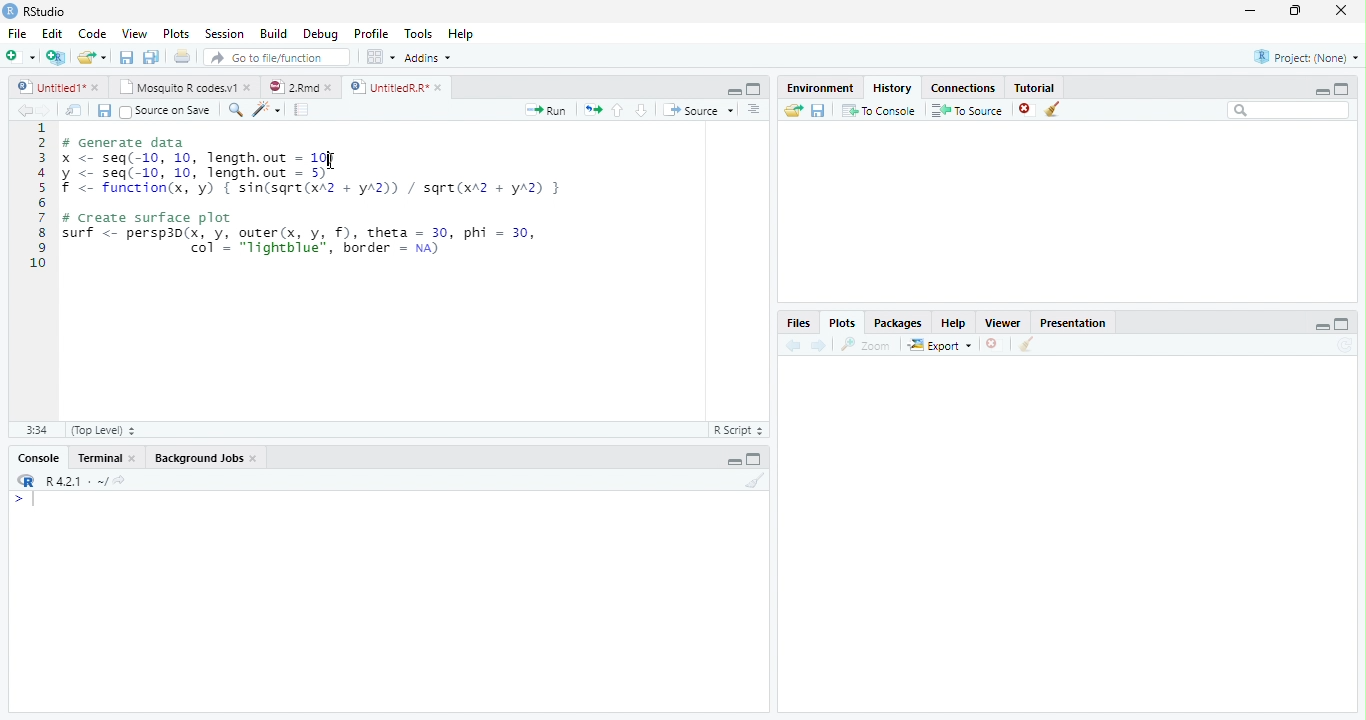 This screenshot has width=1366, height=720. What do you see at coordinates (1250, 10) in the screenshot?
I see `minimize` at bounding box center [1250, 10].